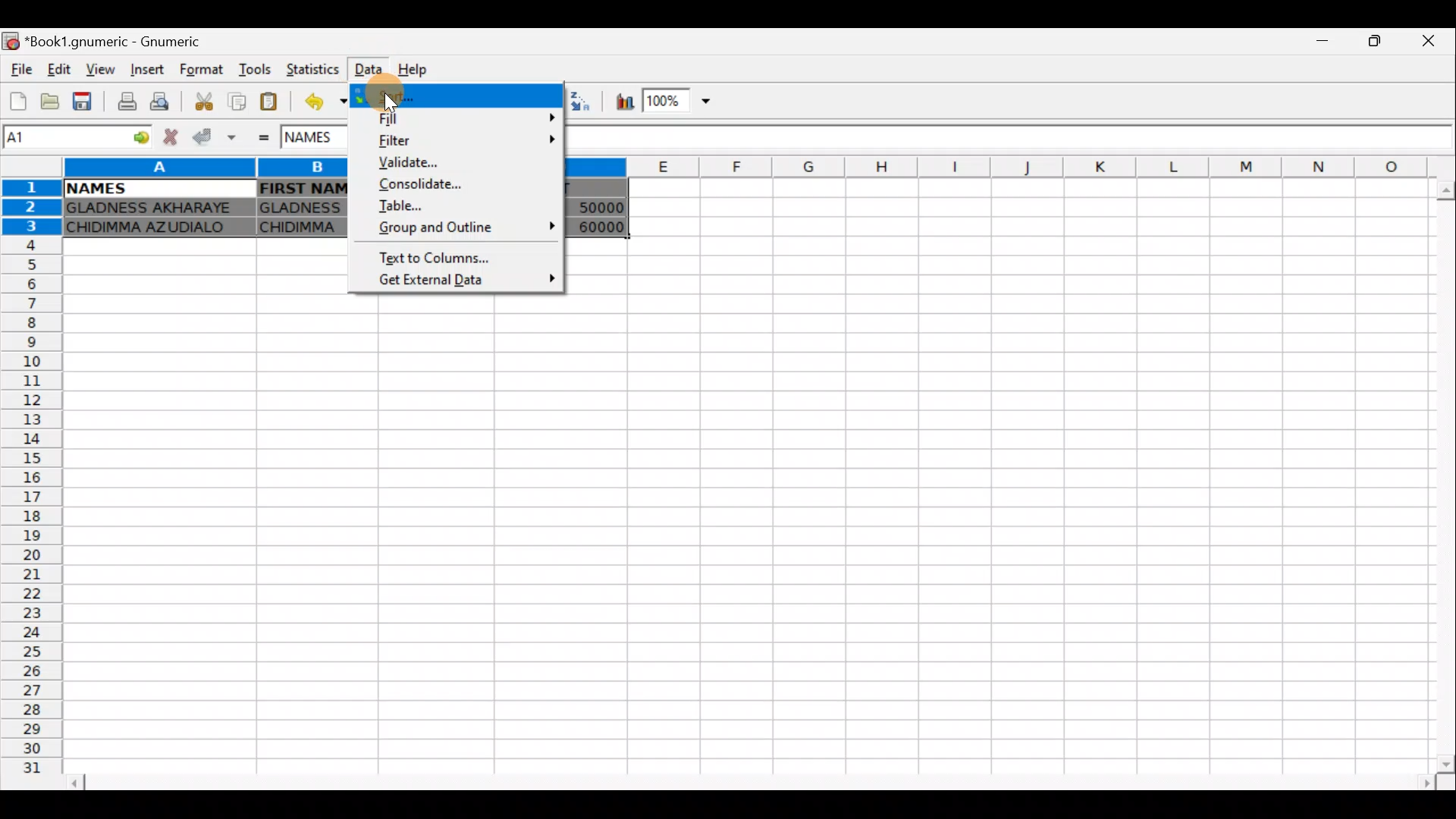 The height and width of the screenshot is (819, 1456). What do you see at coordinates (303, 227) in the screenshot?
I see `CHIDIMMA` at bounding box center [303, 227].